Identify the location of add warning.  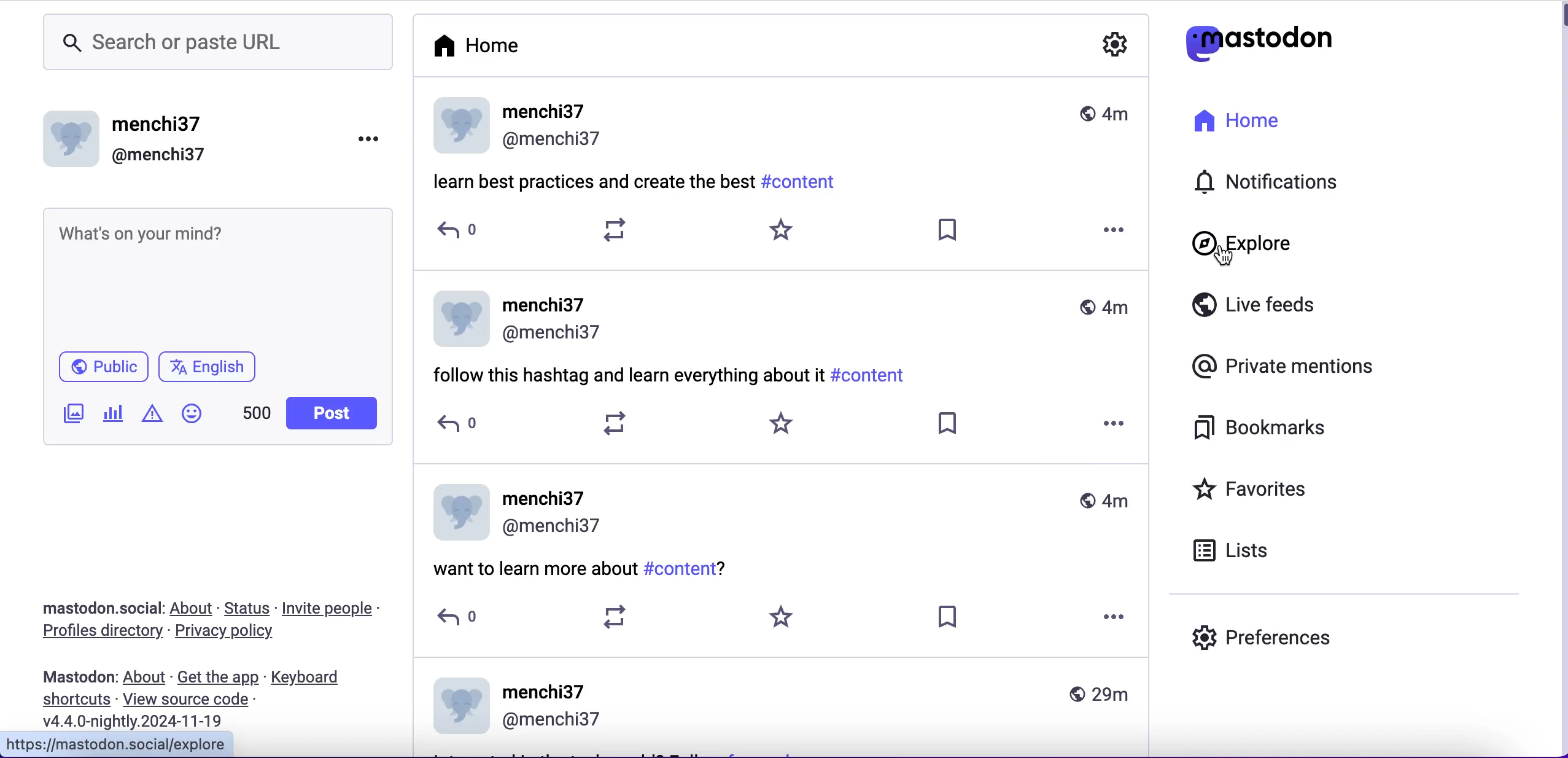
(154, 413).